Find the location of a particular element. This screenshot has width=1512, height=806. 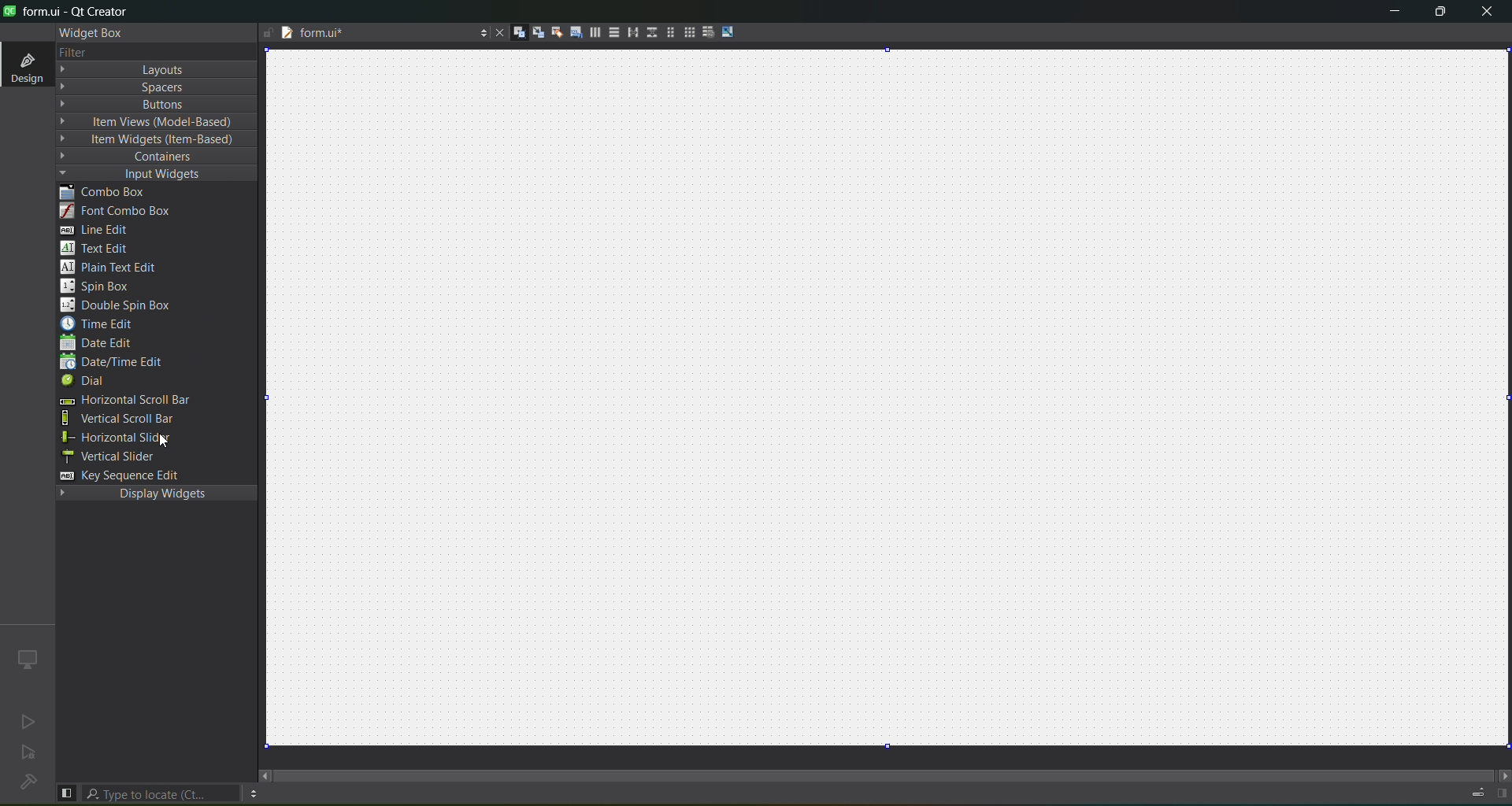

key sequence edit is located at coordinates (120, 474).